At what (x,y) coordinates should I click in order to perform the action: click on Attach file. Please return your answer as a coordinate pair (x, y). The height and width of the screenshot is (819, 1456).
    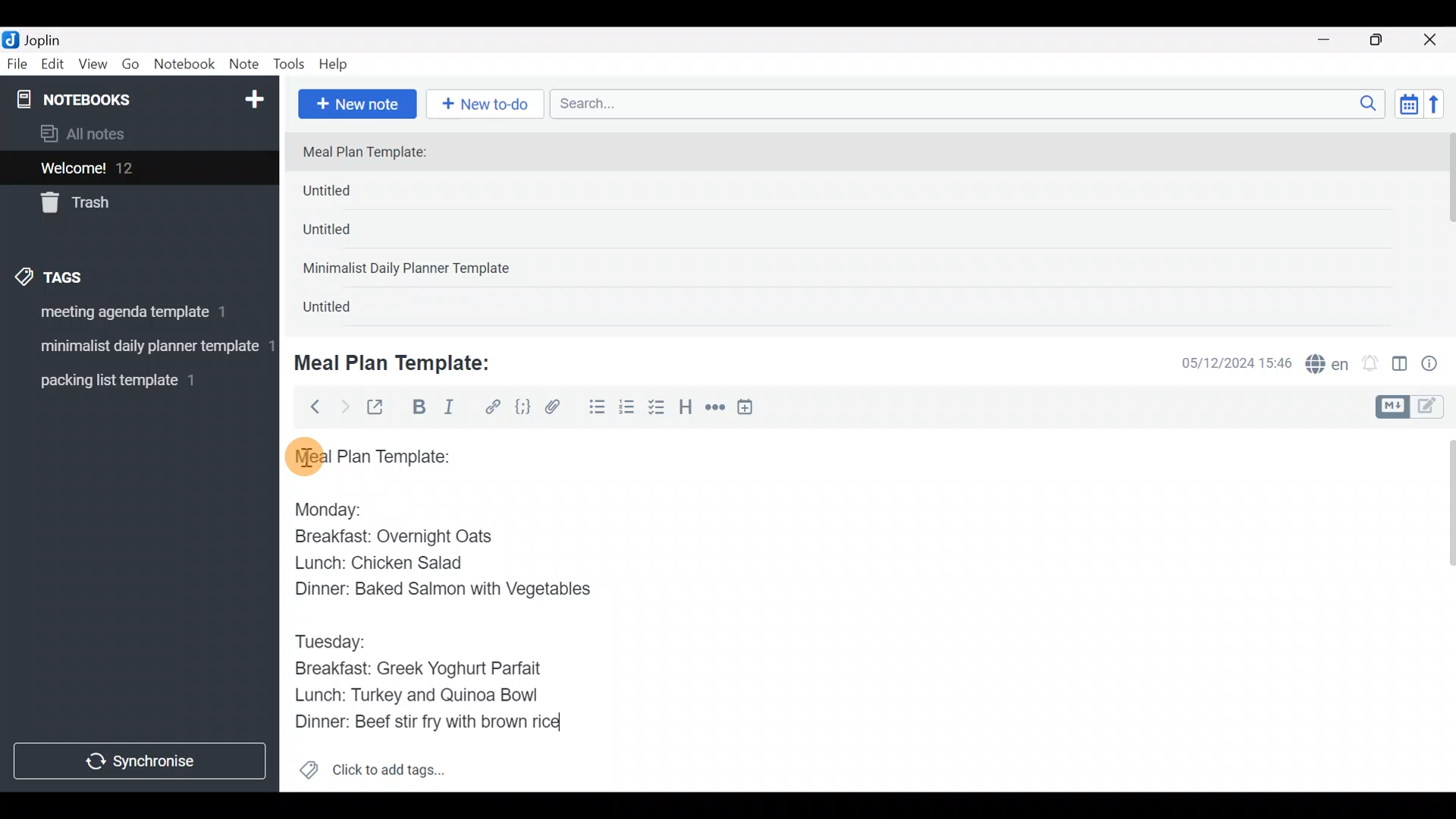
    Looking at the image, I should click on (557, 409).